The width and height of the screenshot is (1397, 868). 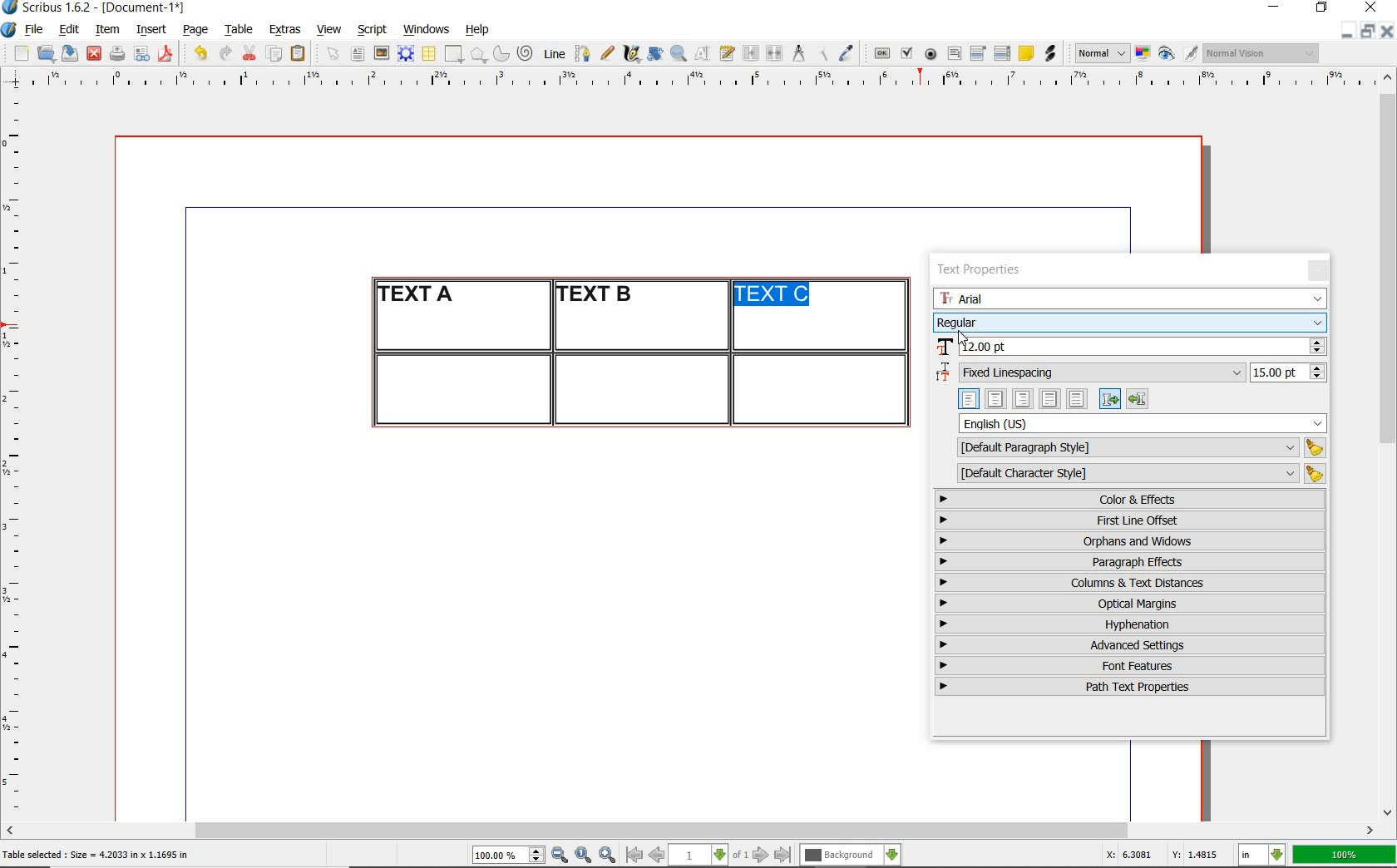 I want to click on system logo, so click(x=10, y=30).